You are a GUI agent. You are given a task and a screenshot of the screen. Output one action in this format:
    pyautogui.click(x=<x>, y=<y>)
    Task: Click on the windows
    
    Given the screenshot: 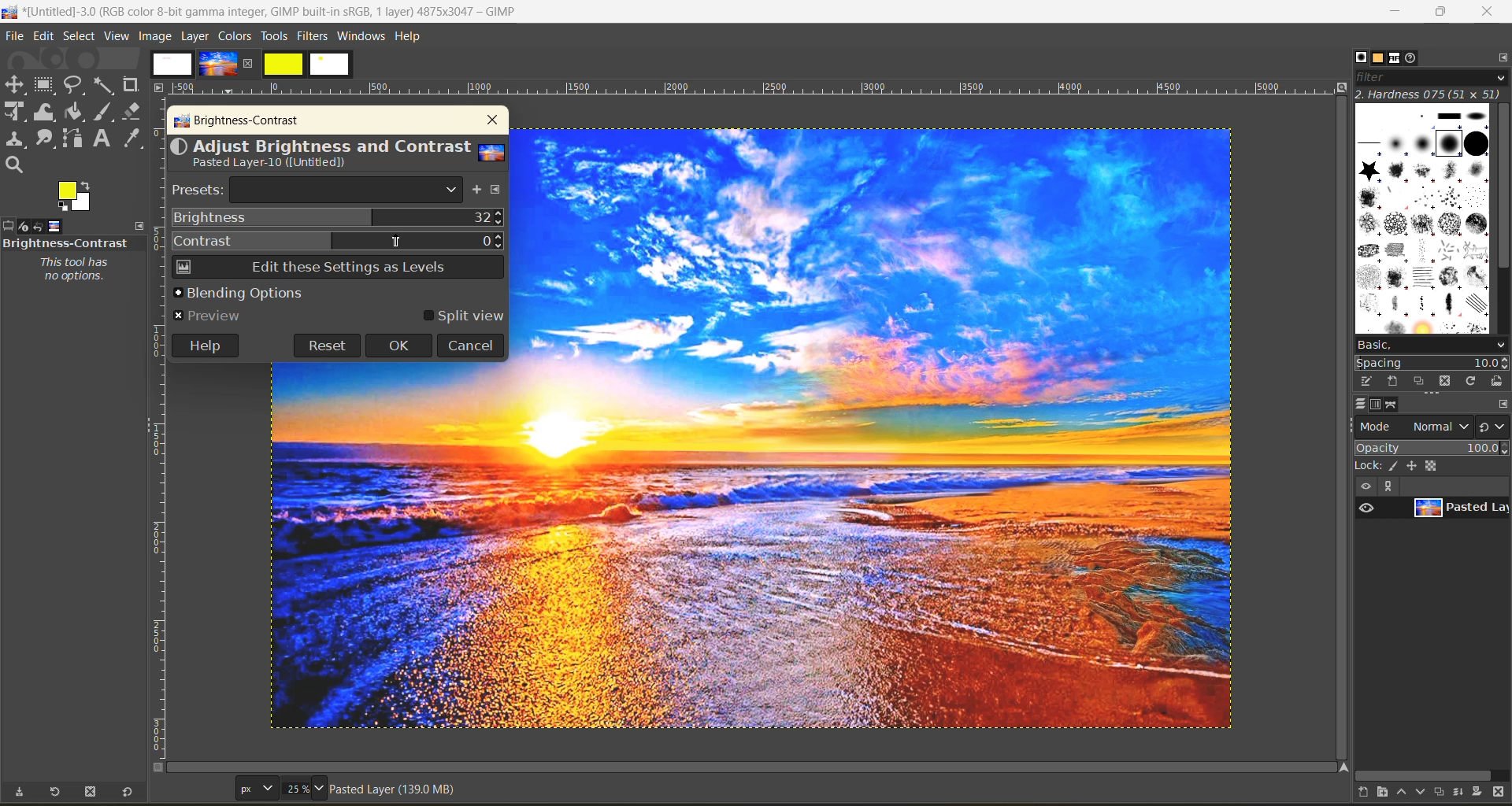 What is the action you would take?
    pyautogui.click(x=362, y=37)
    